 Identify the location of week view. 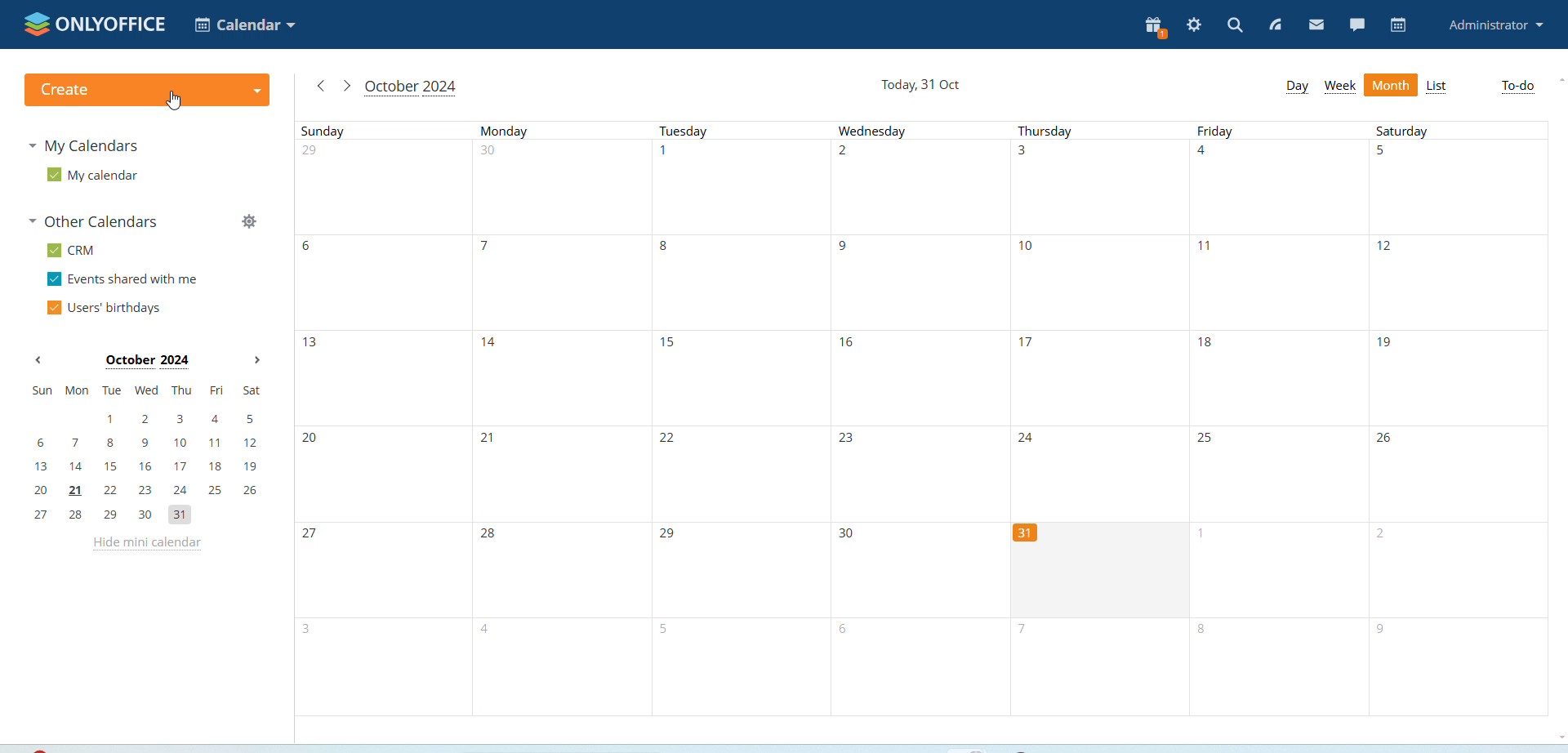
(1339, 87).